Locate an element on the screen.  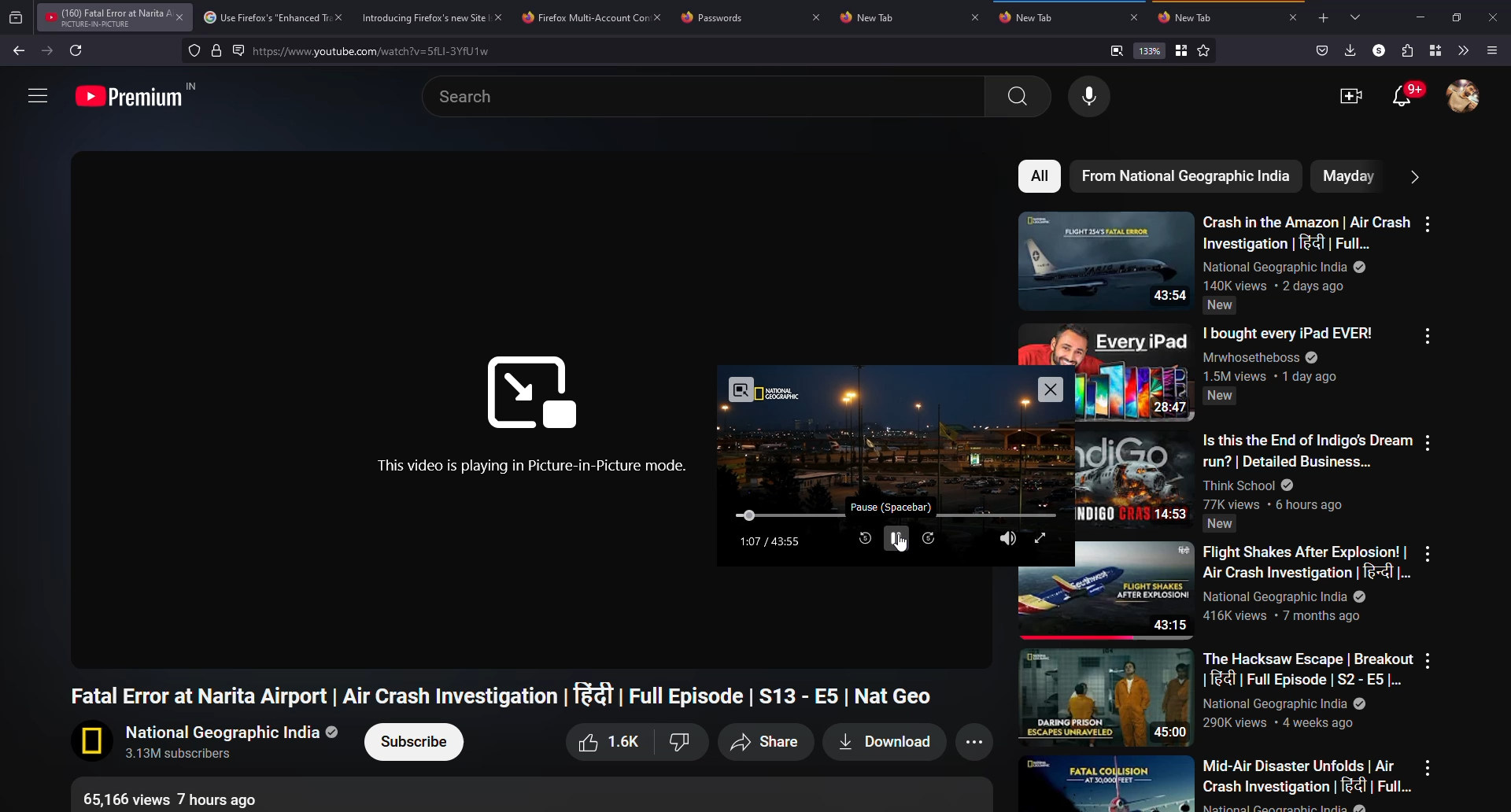
Video preview is located at coordinates (895, 430).